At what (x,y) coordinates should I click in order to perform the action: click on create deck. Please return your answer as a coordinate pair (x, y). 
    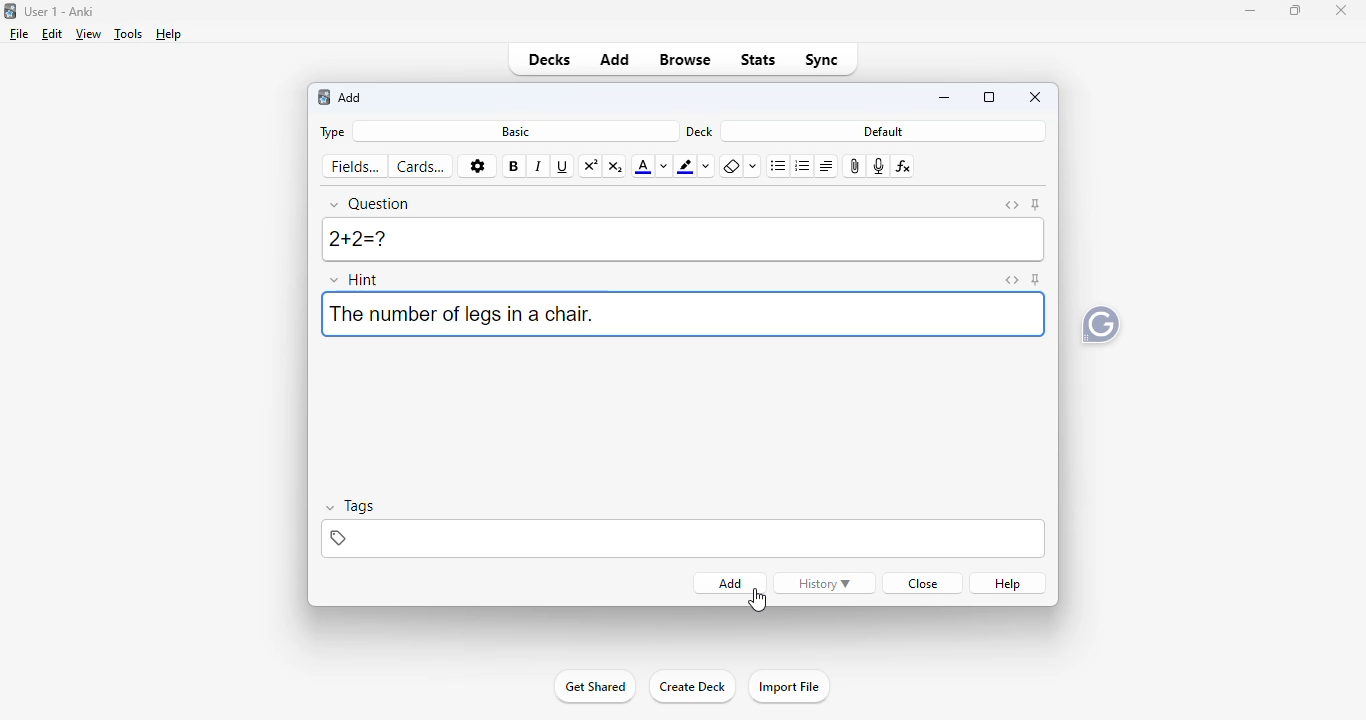
    Looking at the image, I should click on (692, 687).